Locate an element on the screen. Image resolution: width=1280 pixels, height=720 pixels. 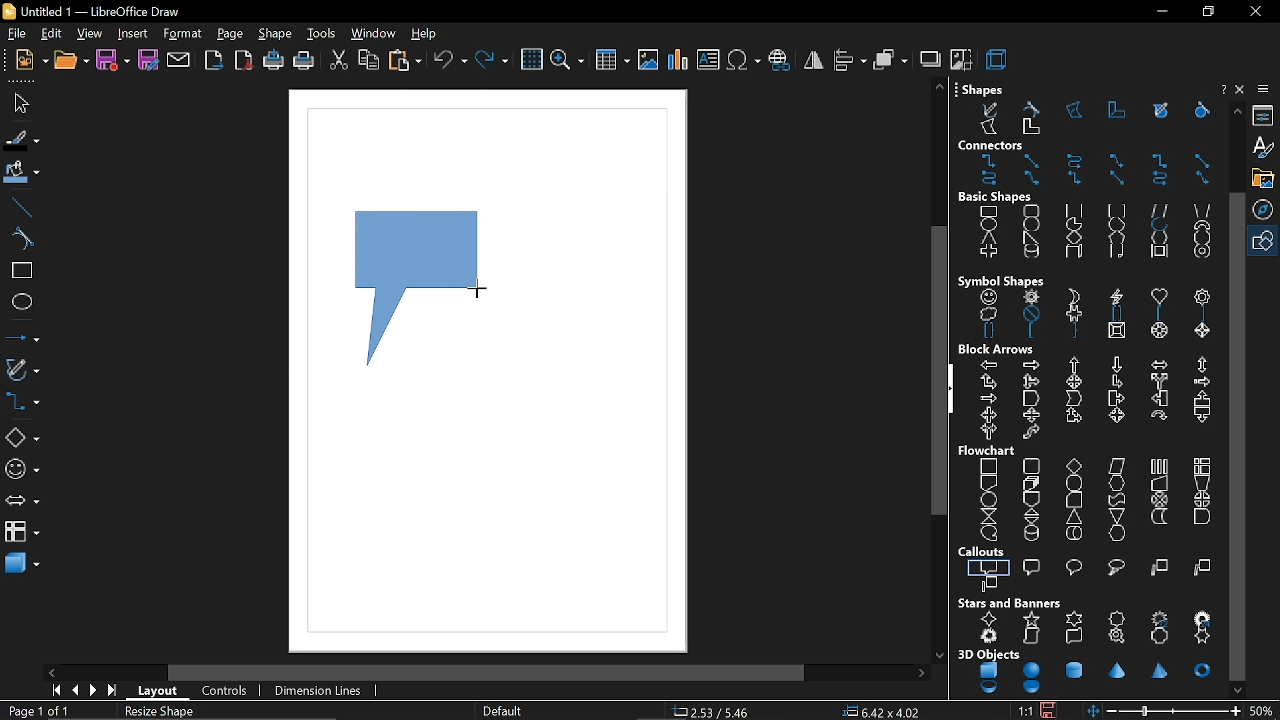
shapes is located at coordinates (1266, 239).